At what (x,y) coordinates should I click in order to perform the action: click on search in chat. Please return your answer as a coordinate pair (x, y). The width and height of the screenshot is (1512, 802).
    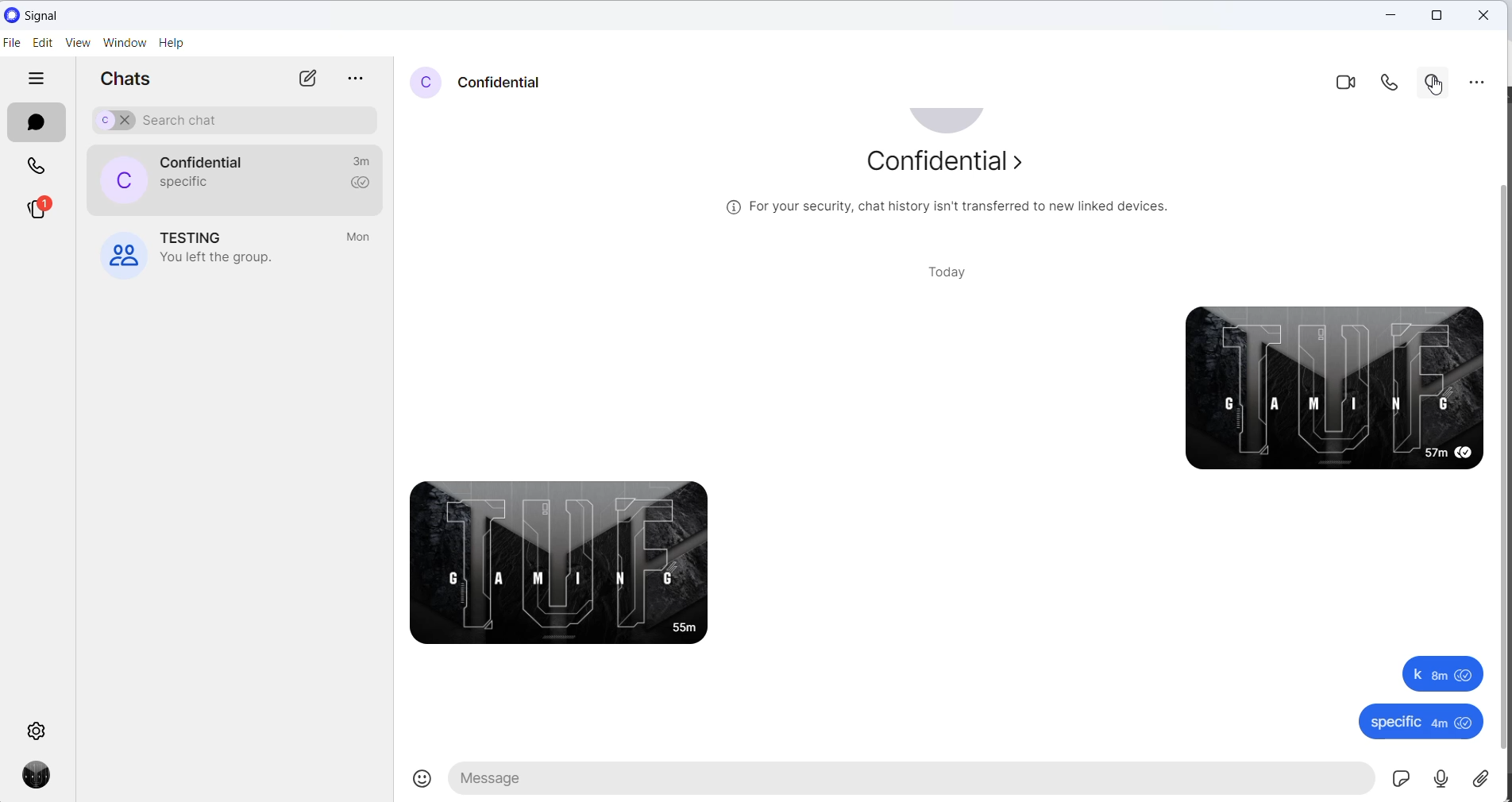
    Looking at the image, I should click on (1433, 82).